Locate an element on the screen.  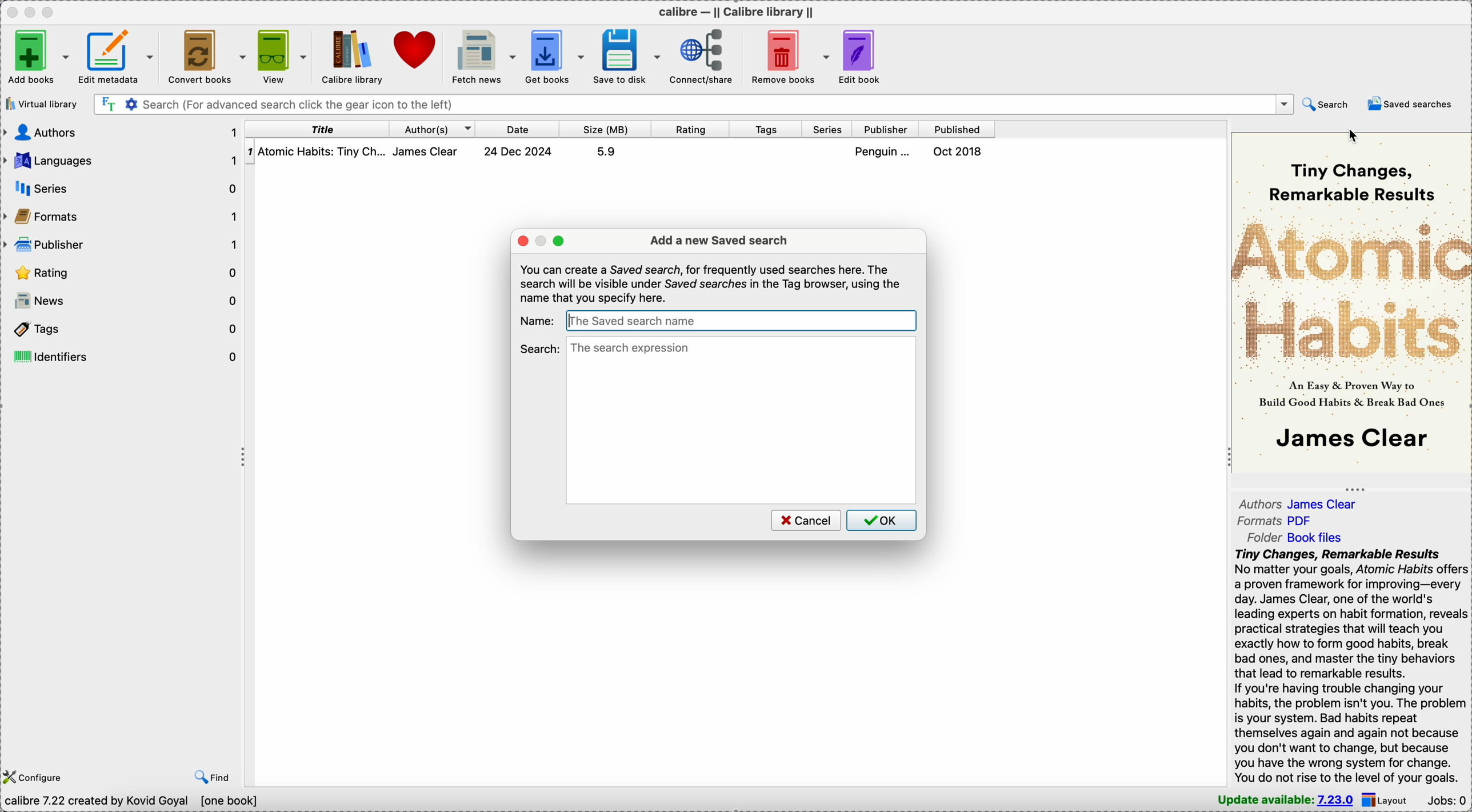
title is located at coordinates (318, 129).